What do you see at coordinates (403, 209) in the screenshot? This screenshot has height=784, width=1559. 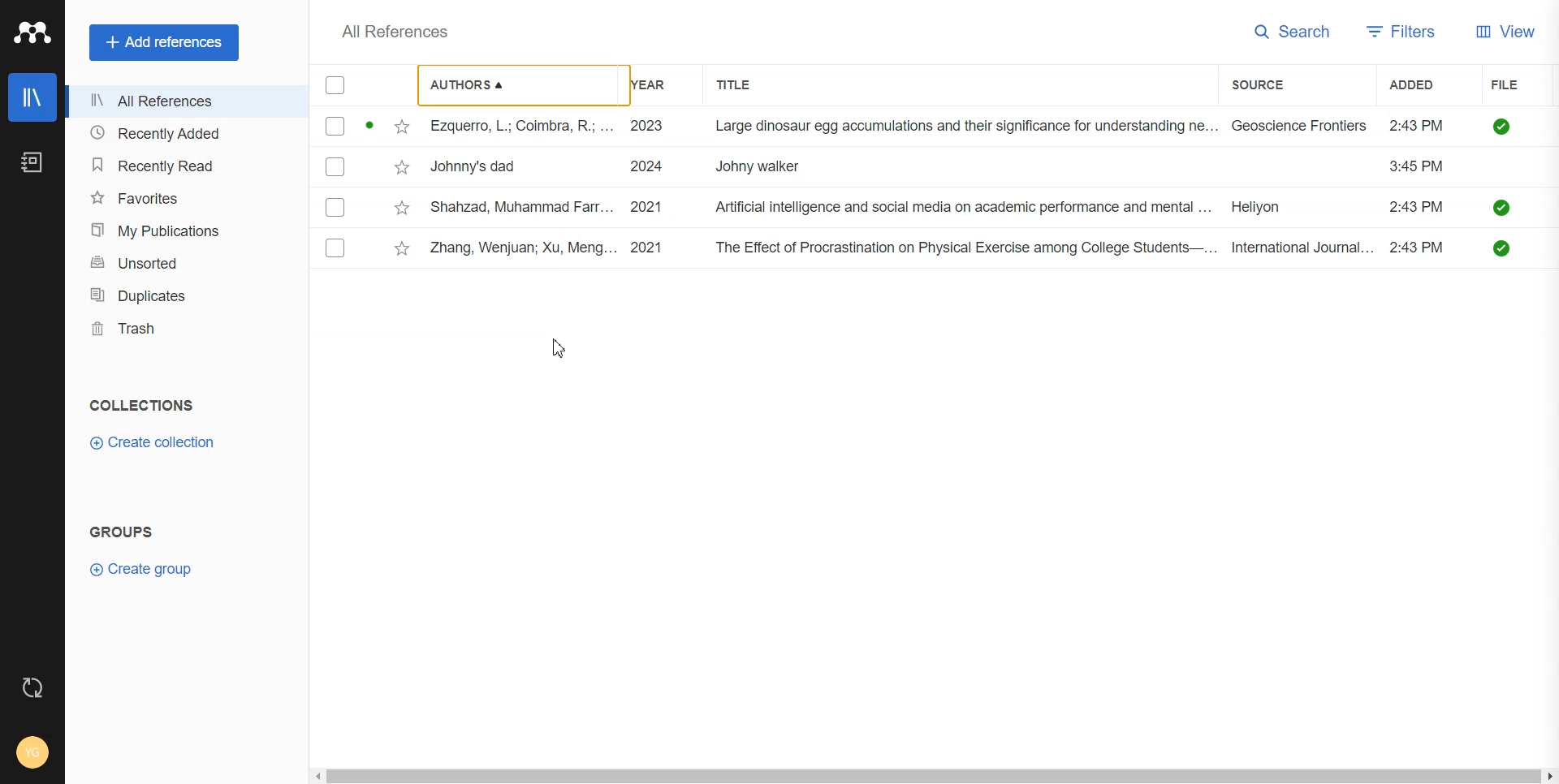 I see `Toggle favorites` at bounding box center [403, 209].